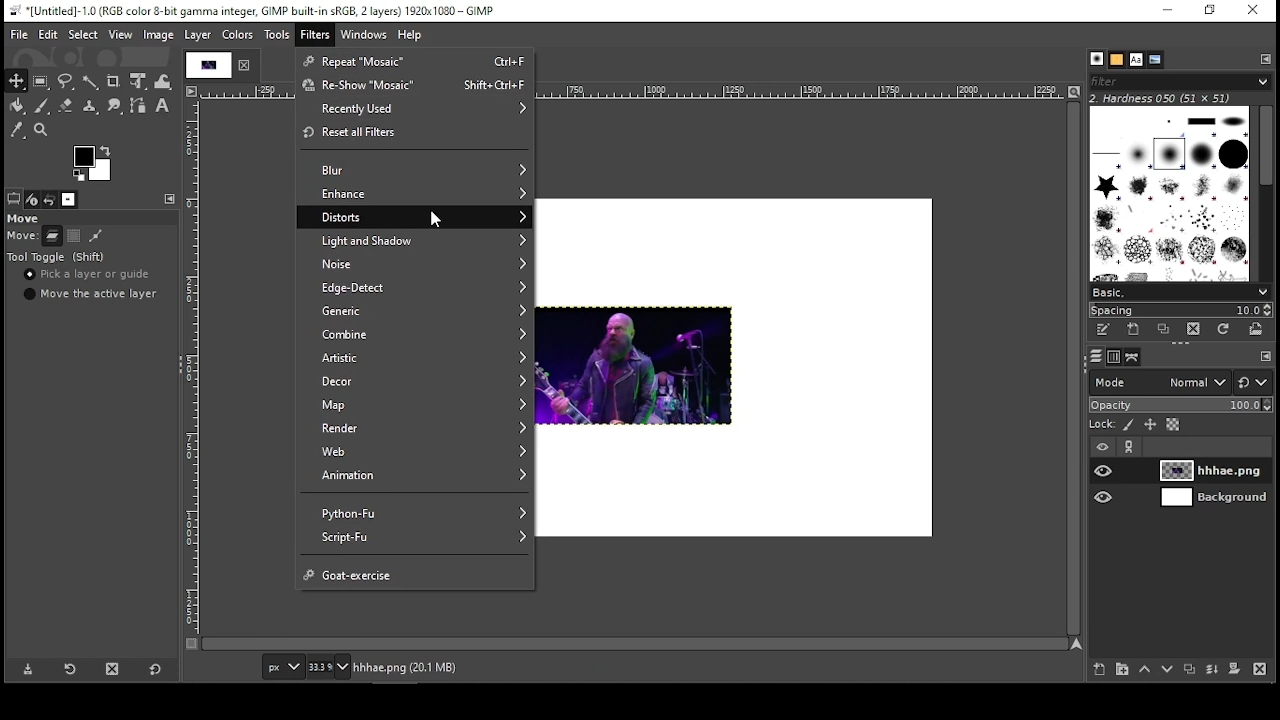 This screenshot has width=1280, height=720. Describe the element at coordinates (418, 513) in the screenshot. I see `python Fu` at that location.